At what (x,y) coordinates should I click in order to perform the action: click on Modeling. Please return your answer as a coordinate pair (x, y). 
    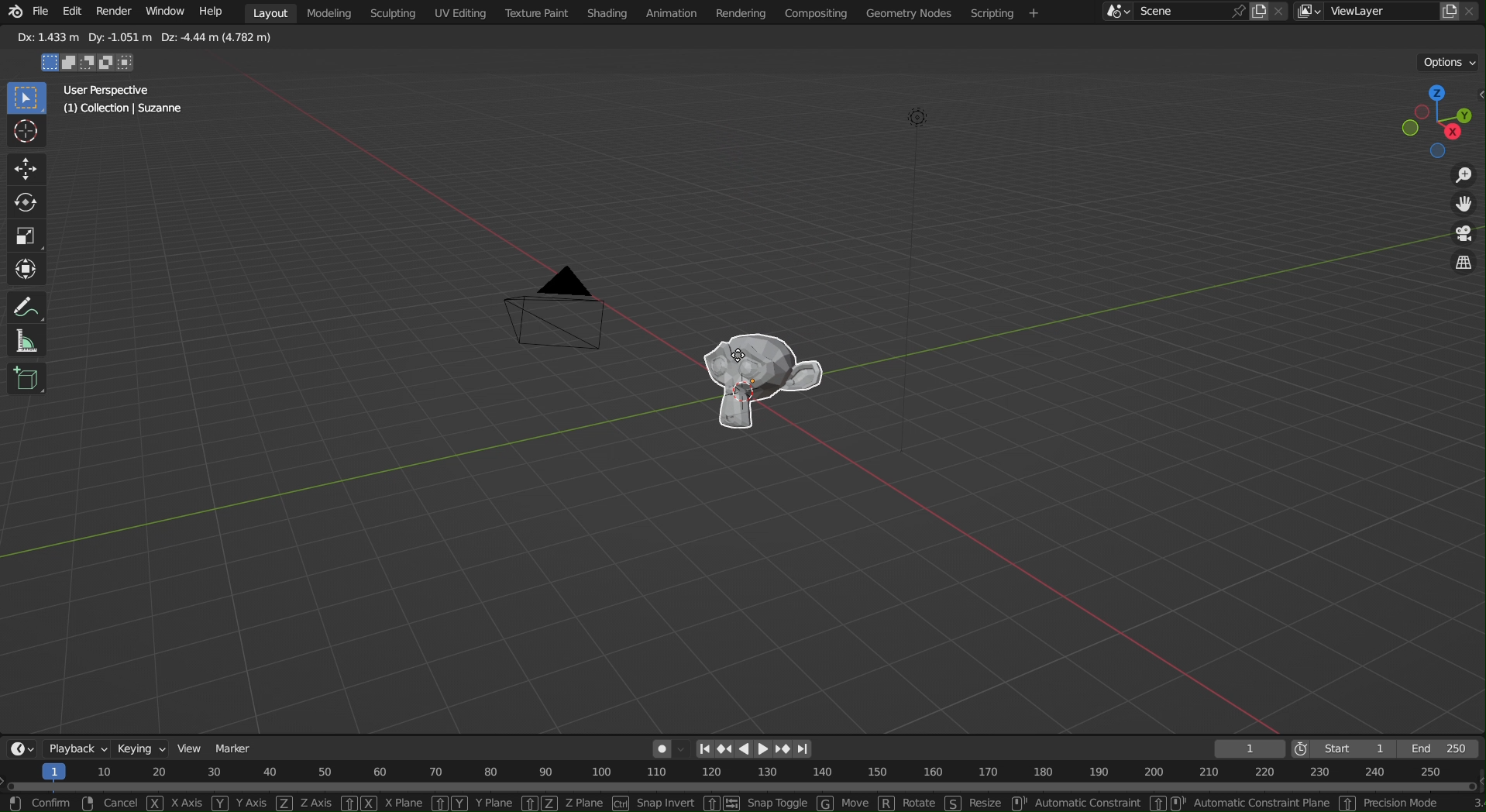
    Looking at the image, I should click on (327, 12).